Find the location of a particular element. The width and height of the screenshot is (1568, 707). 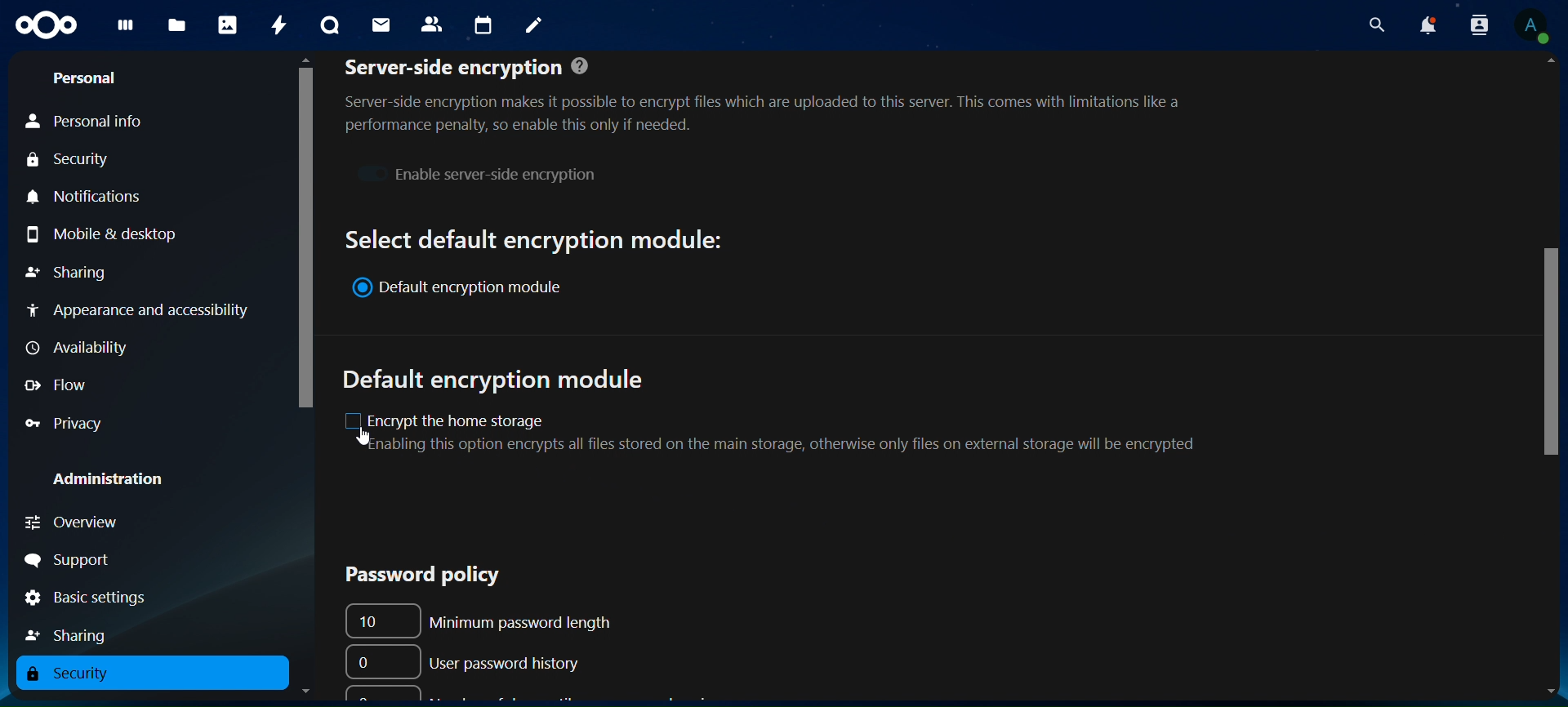

files is located at coordinates (176, 26).